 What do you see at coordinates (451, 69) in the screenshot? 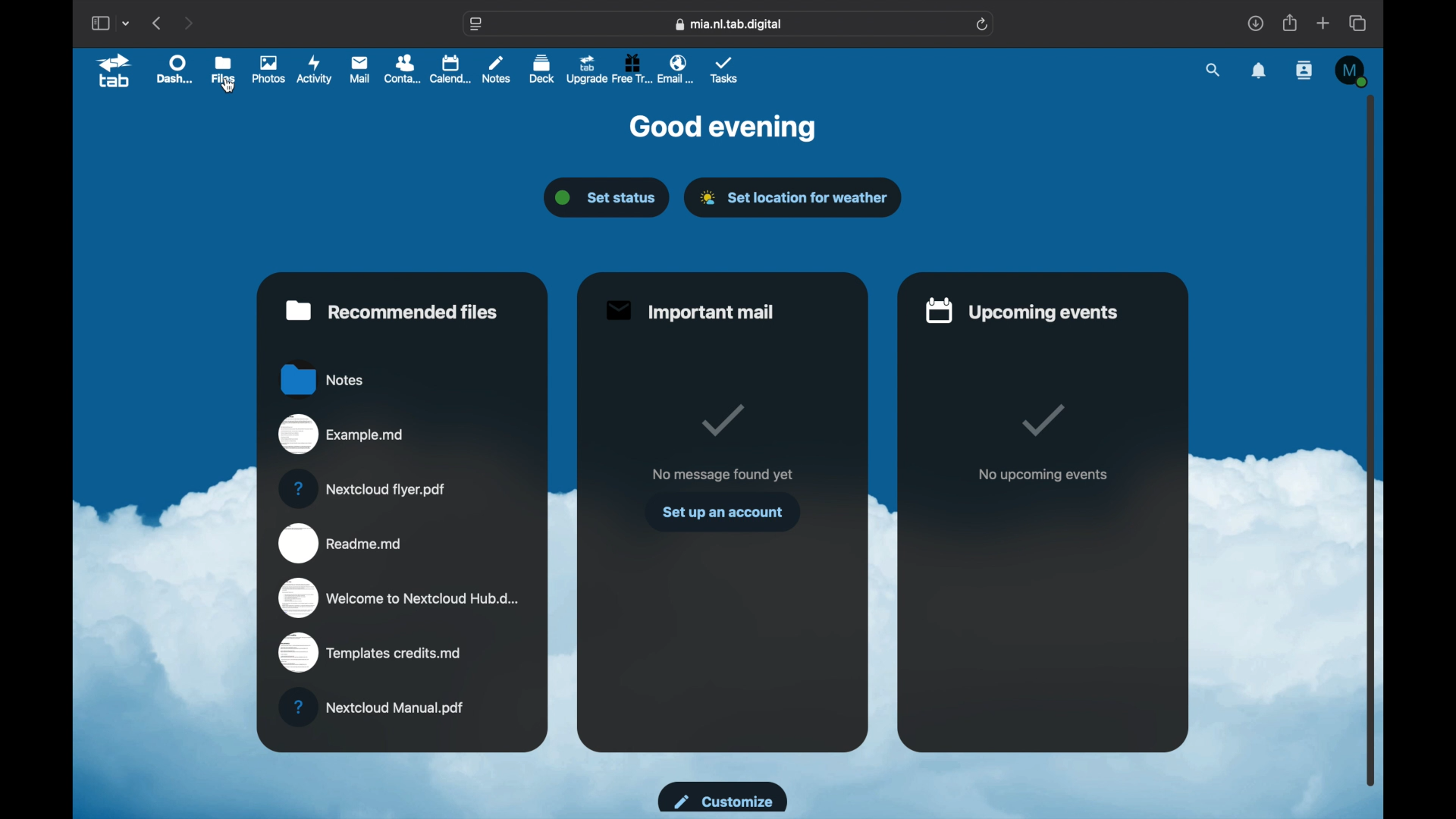
I see `calendar` at bounding box center [451, 69].